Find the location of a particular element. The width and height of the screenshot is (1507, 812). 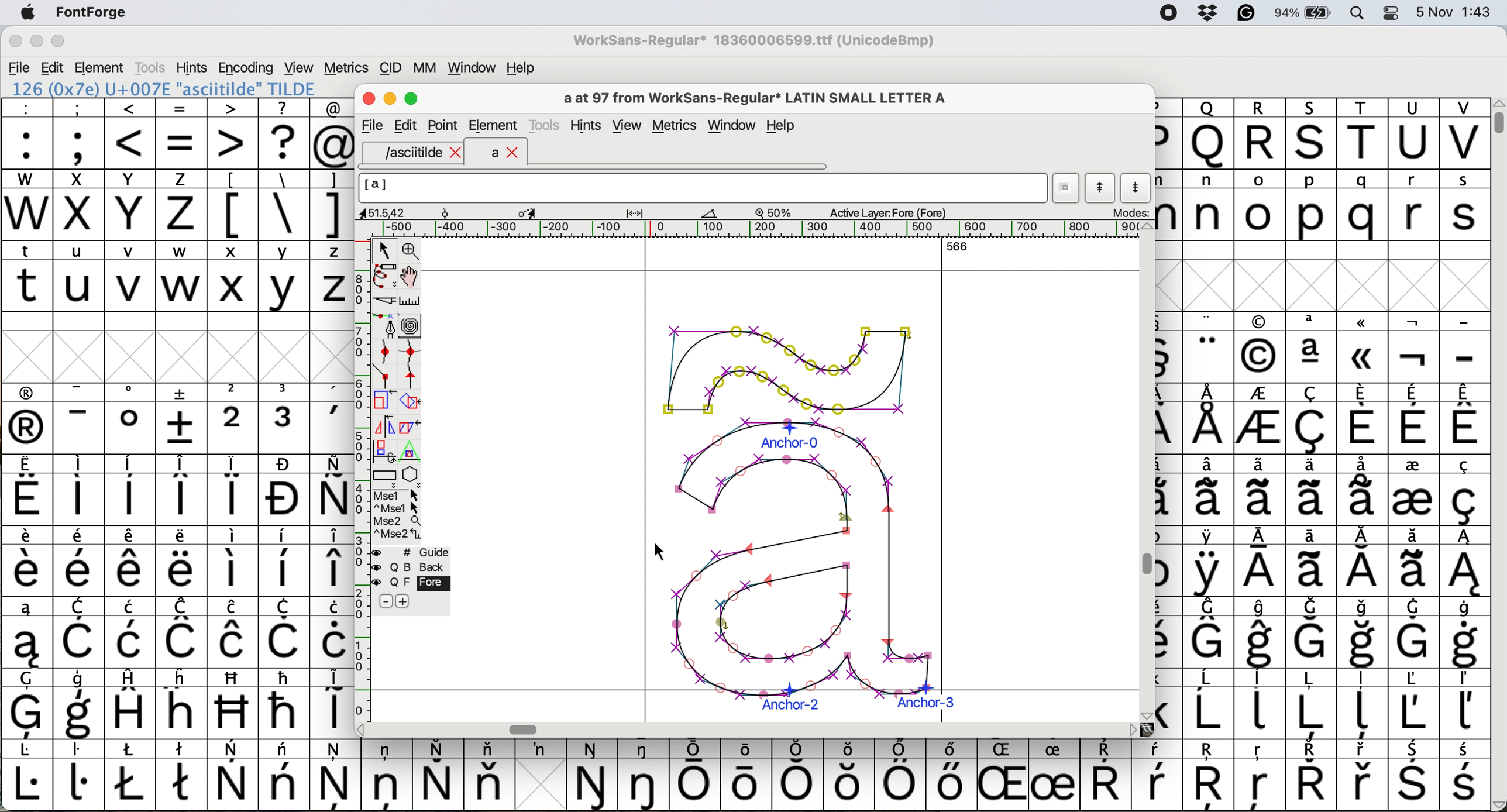

date and time is located at coordinates (1454, 11).